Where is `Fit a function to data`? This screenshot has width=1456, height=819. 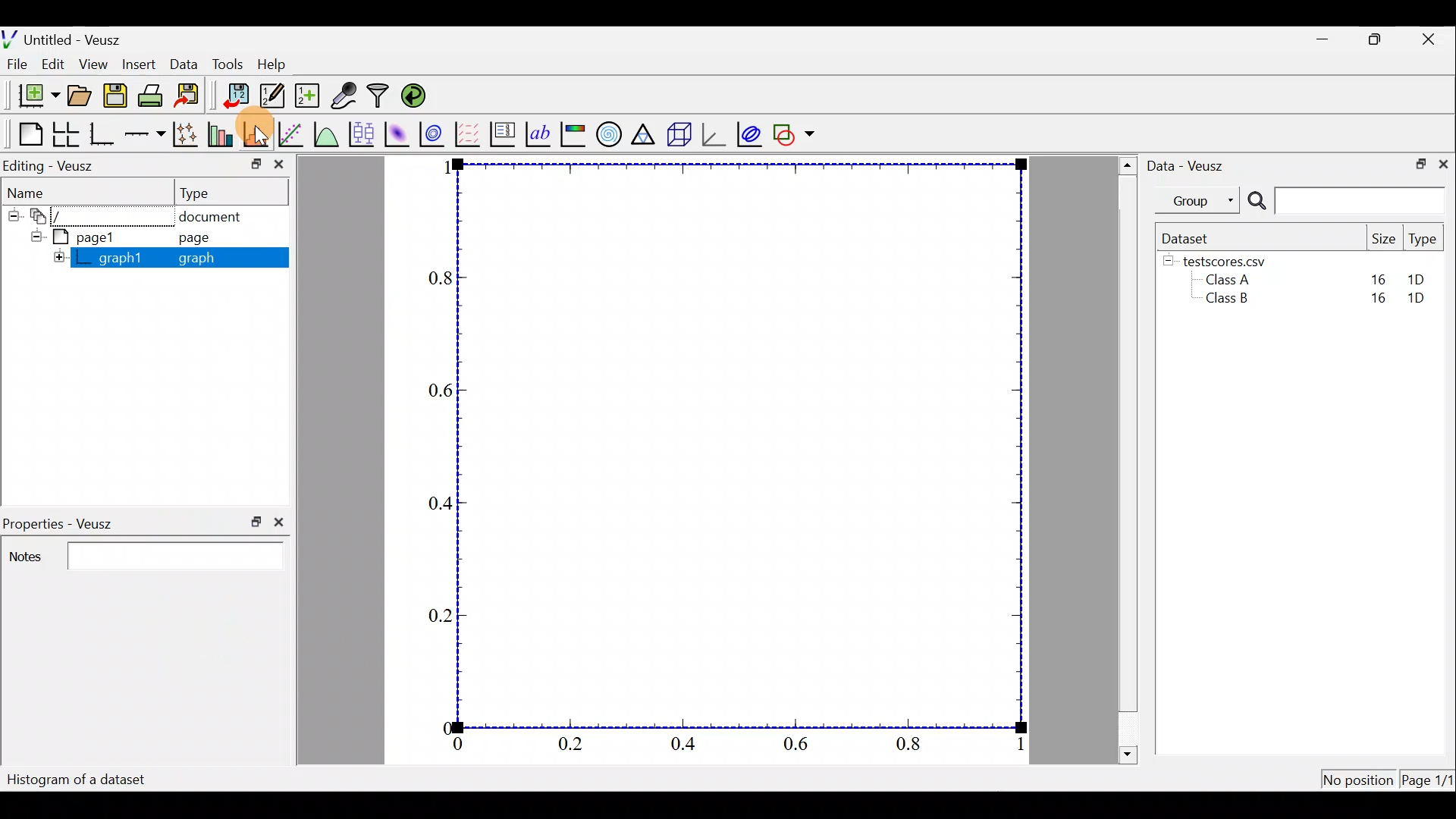
Fit a function to data is located at coordinates (292, 133).